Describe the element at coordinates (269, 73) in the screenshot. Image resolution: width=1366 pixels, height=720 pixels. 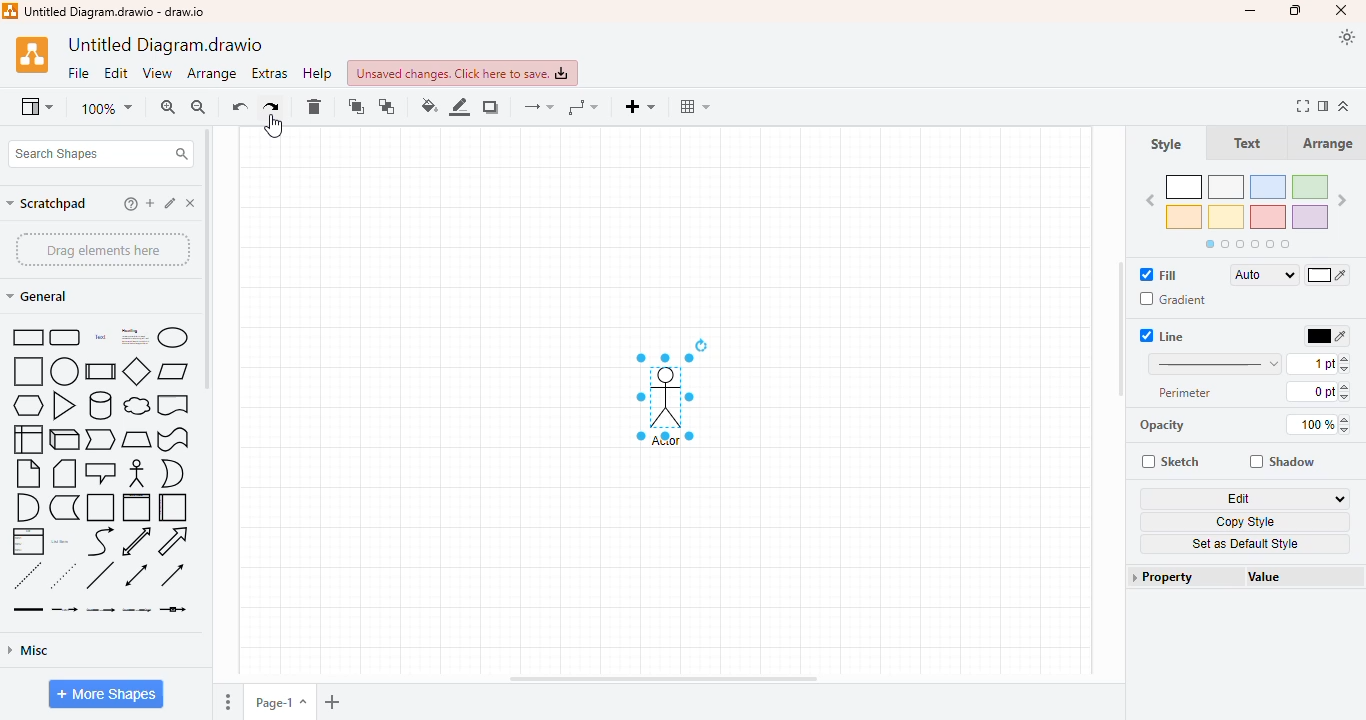
I see `extras` at that location.